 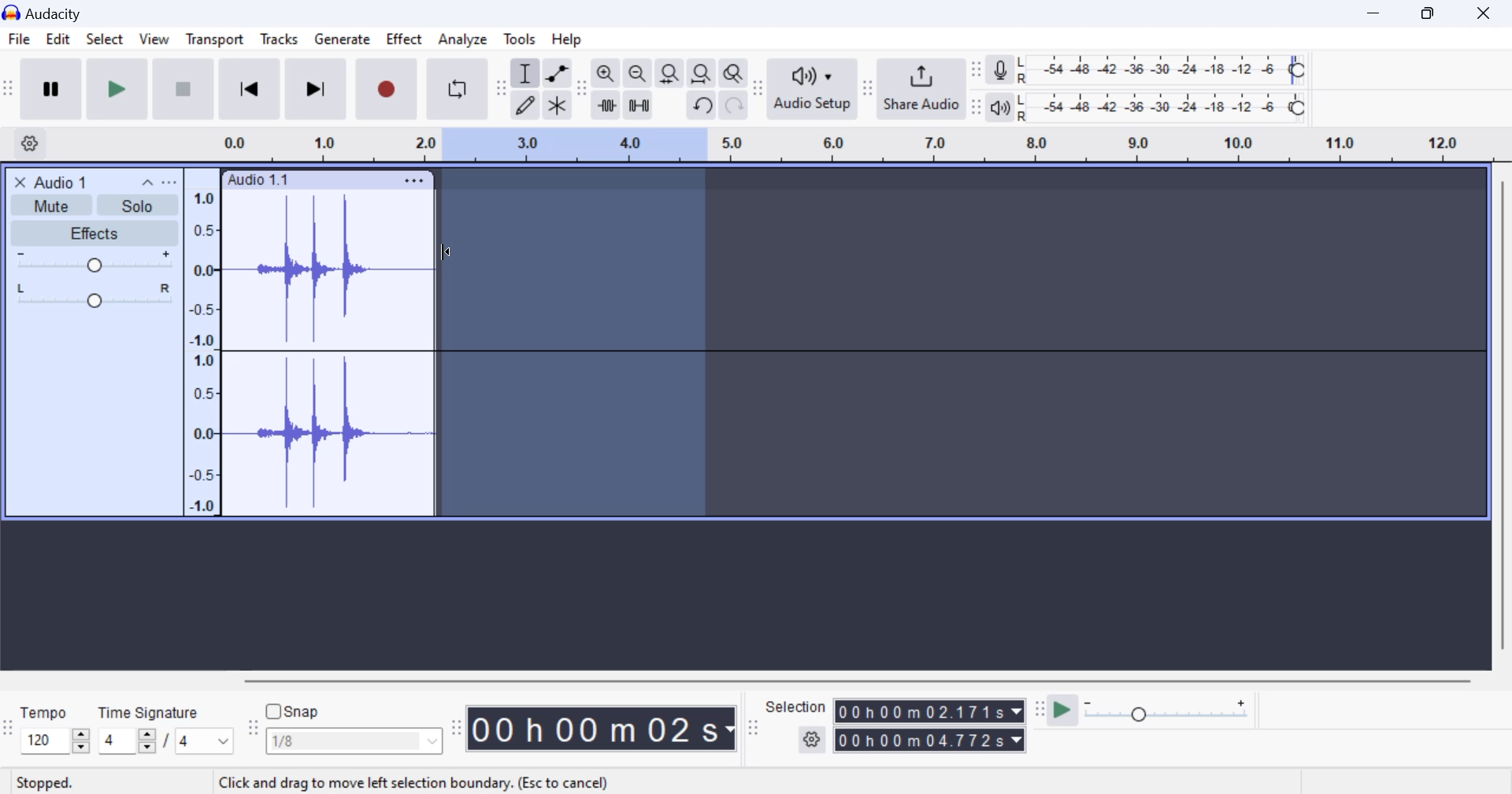 What do you see at coordinates (932, 728) in the screenshot?
I see `Selected Clip Length` at bounding box center [932, 728].